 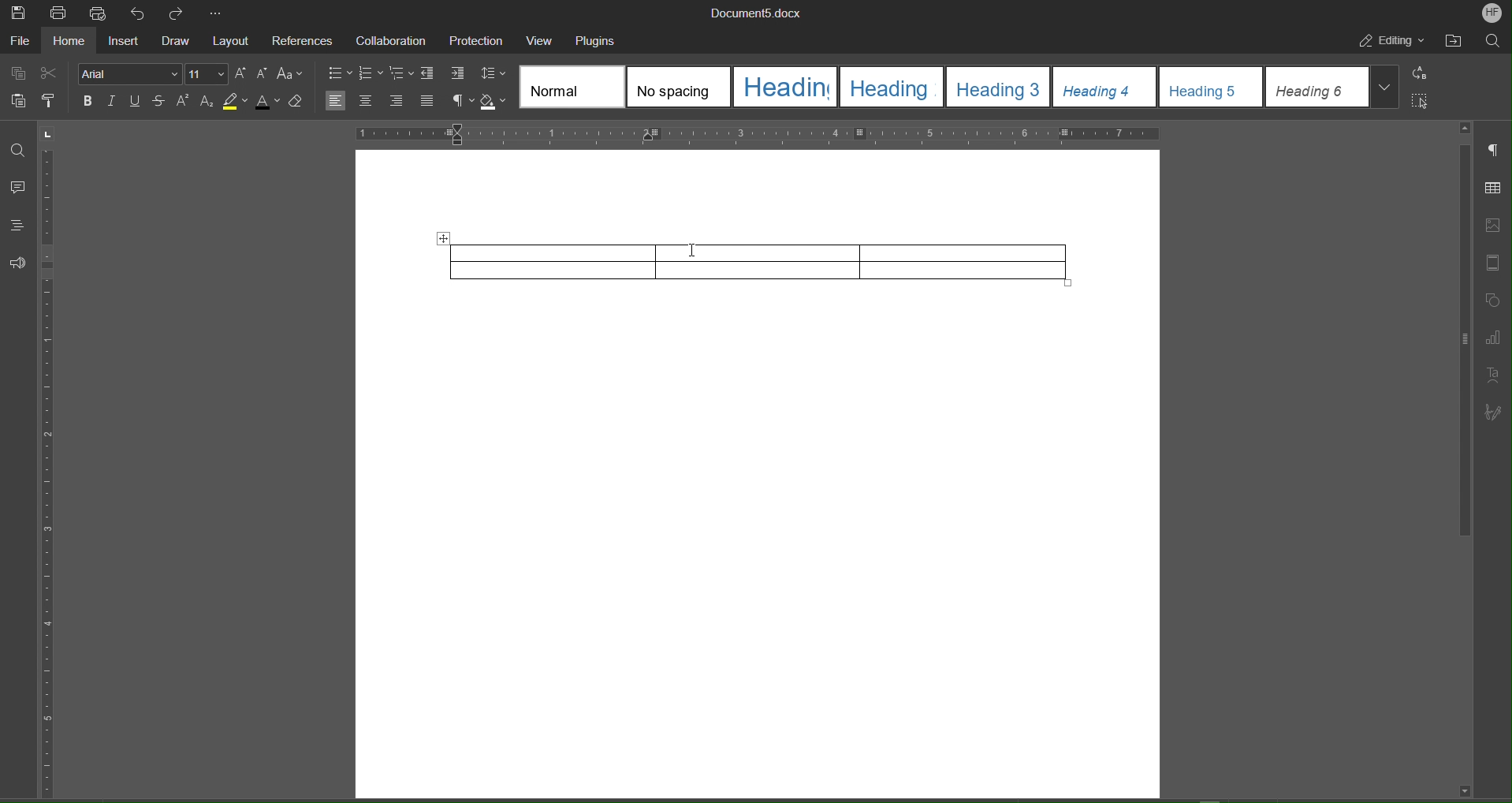 I want to click on Multilevel list, so click(x=402, y=74).